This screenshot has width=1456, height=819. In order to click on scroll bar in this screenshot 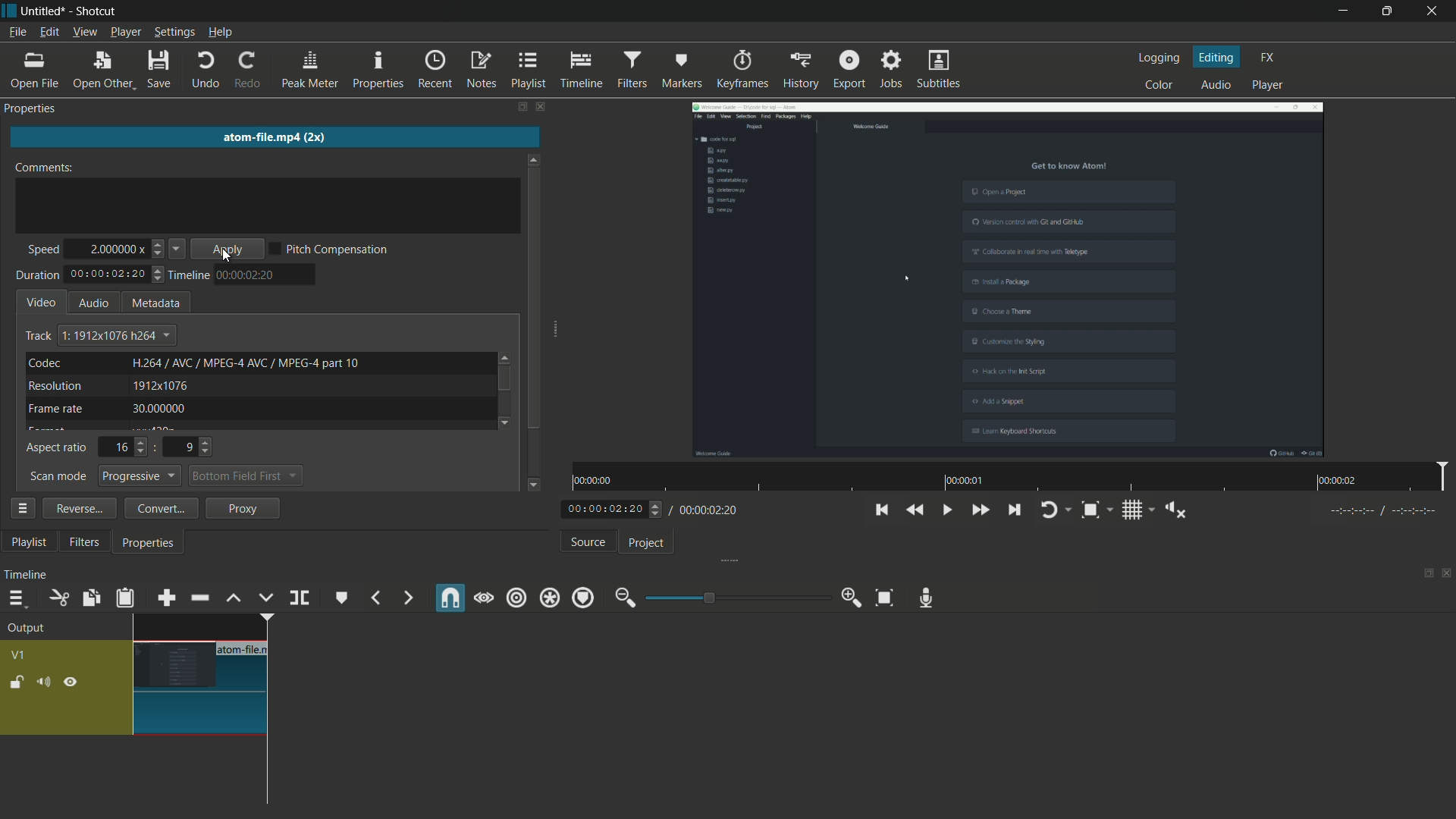, I will do `click(535, 297)`.